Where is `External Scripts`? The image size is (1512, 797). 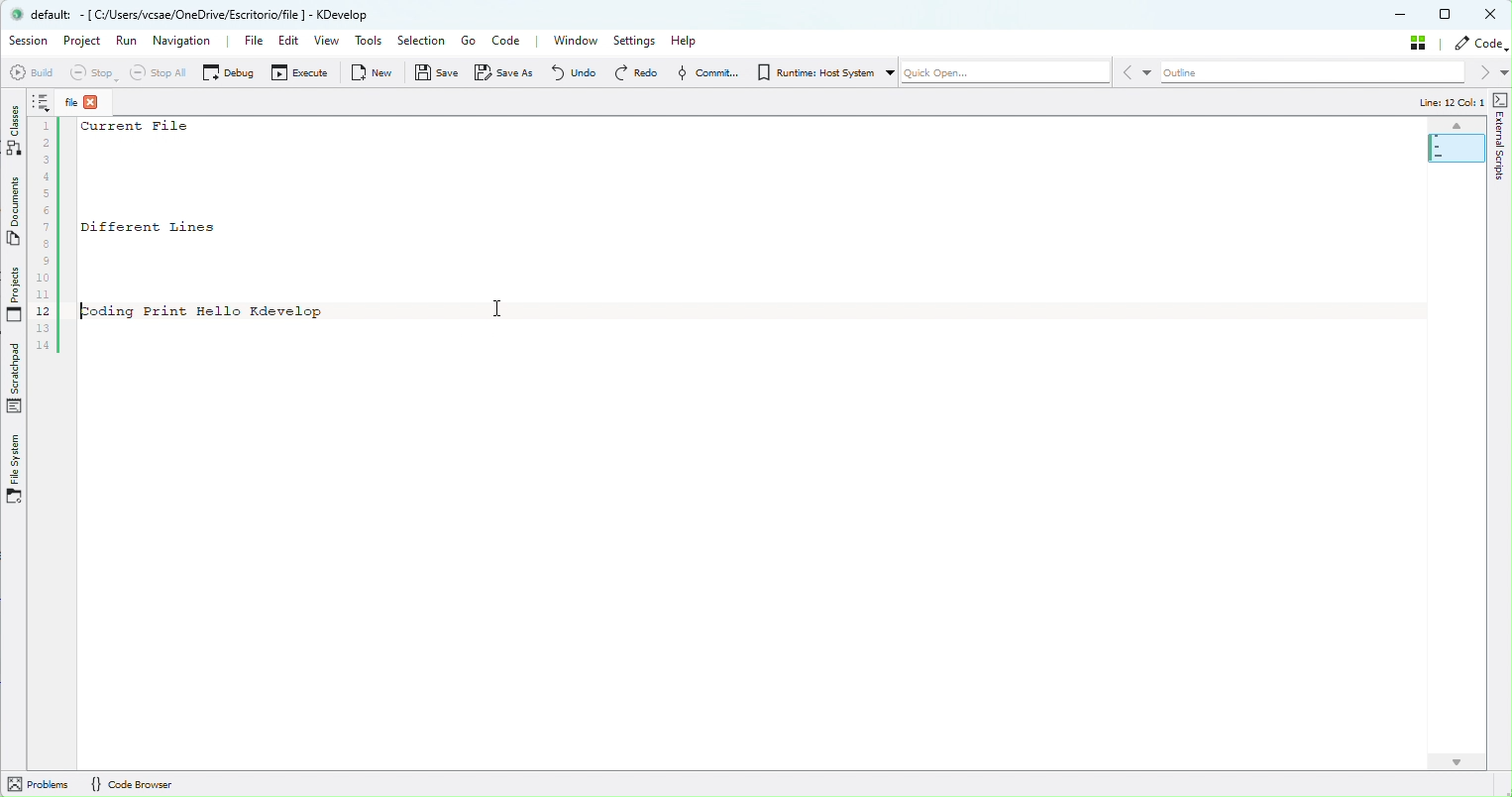
External Scripts is located at coordinates (1502, 137).